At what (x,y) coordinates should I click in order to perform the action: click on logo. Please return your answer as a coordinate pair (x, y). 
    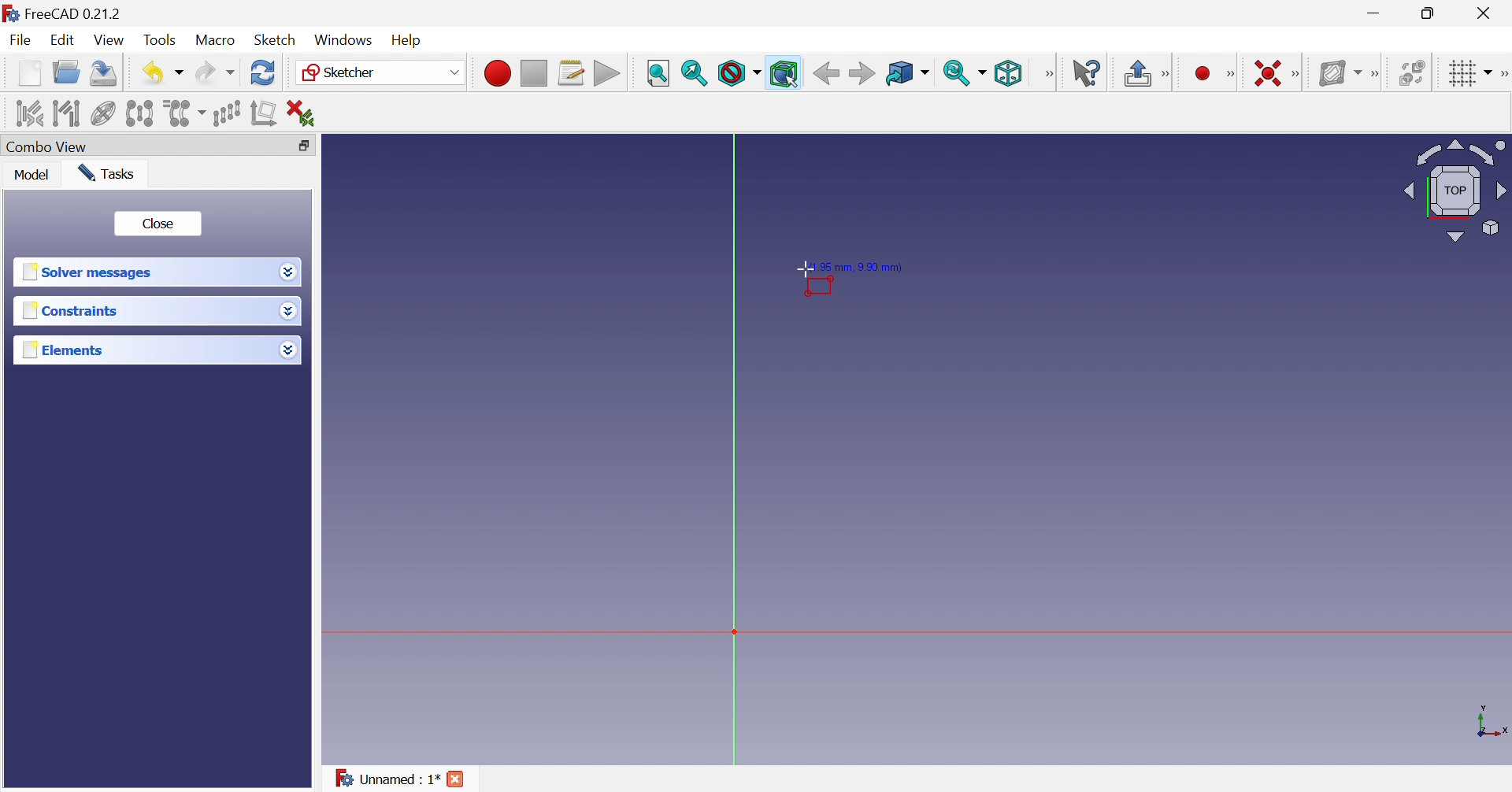
    Looking at the image, I should click on (10, 13).